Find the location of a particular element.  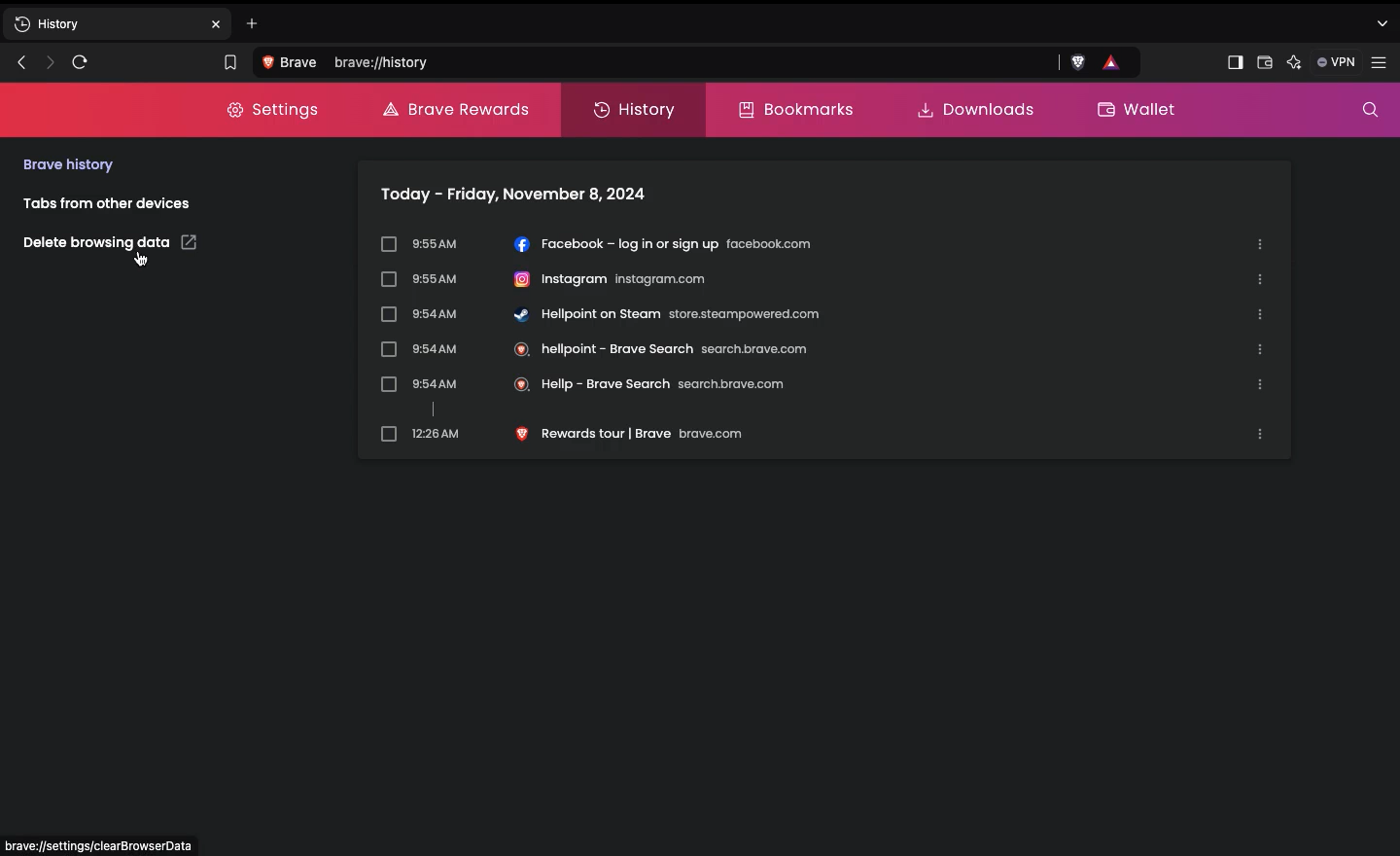

Address is located at coordinates (111, 843).